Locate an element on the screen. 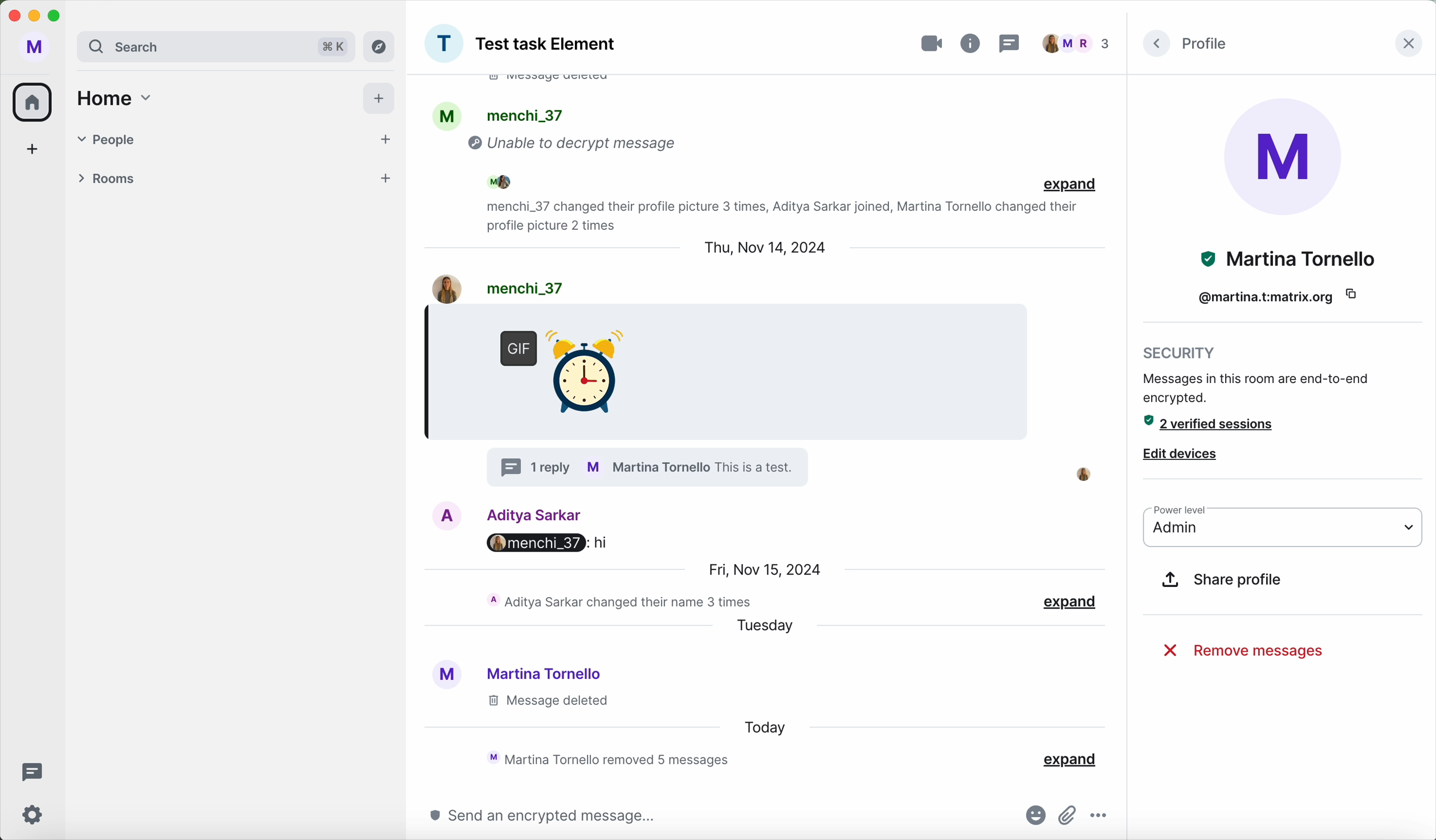 This screenshot has width=1436, height=840. expand is located at coordinates (1067, 186).